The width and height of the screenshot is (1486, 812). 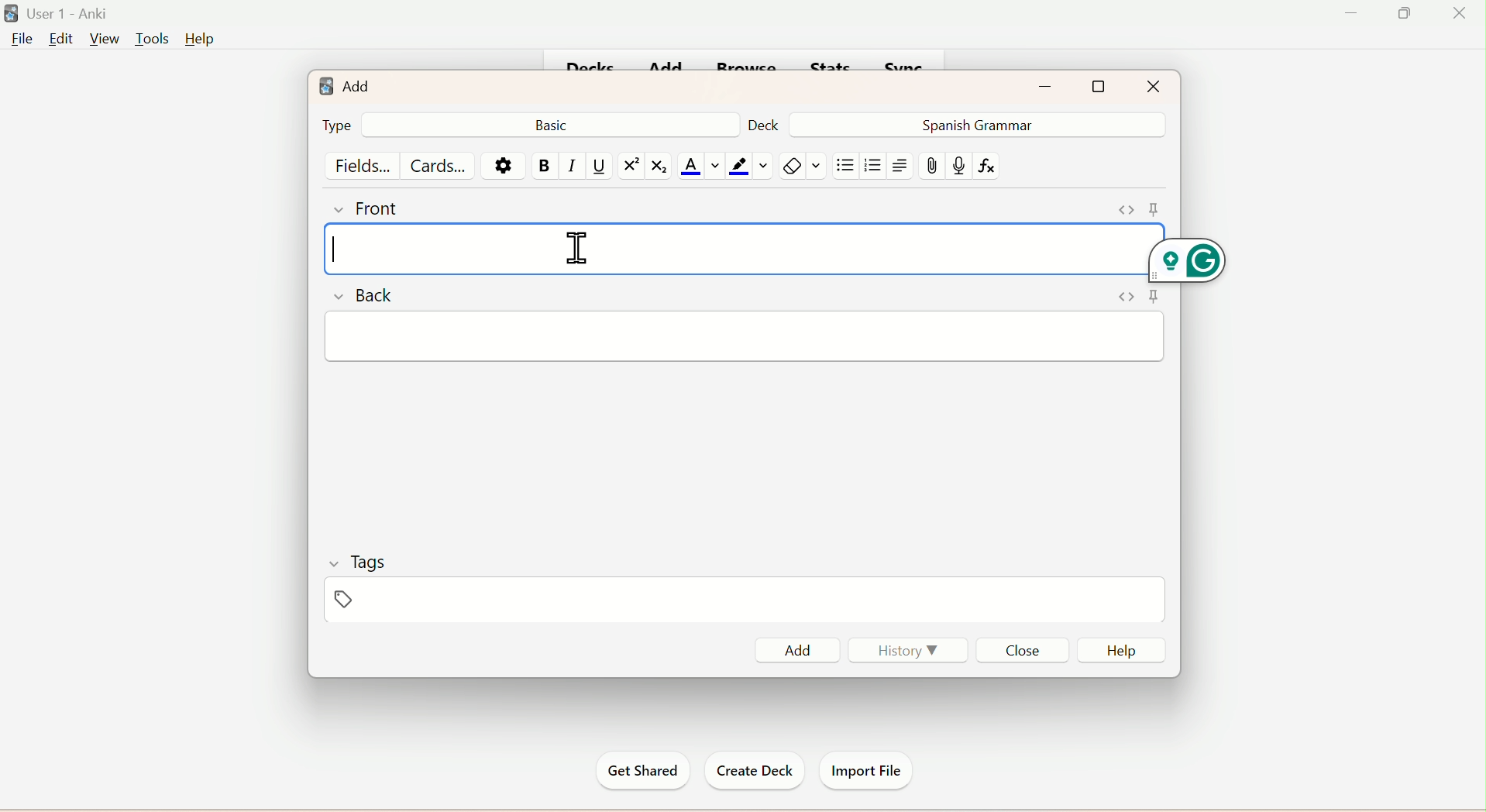 I want to click on Unorgganised List, so click(x=845, y=166).